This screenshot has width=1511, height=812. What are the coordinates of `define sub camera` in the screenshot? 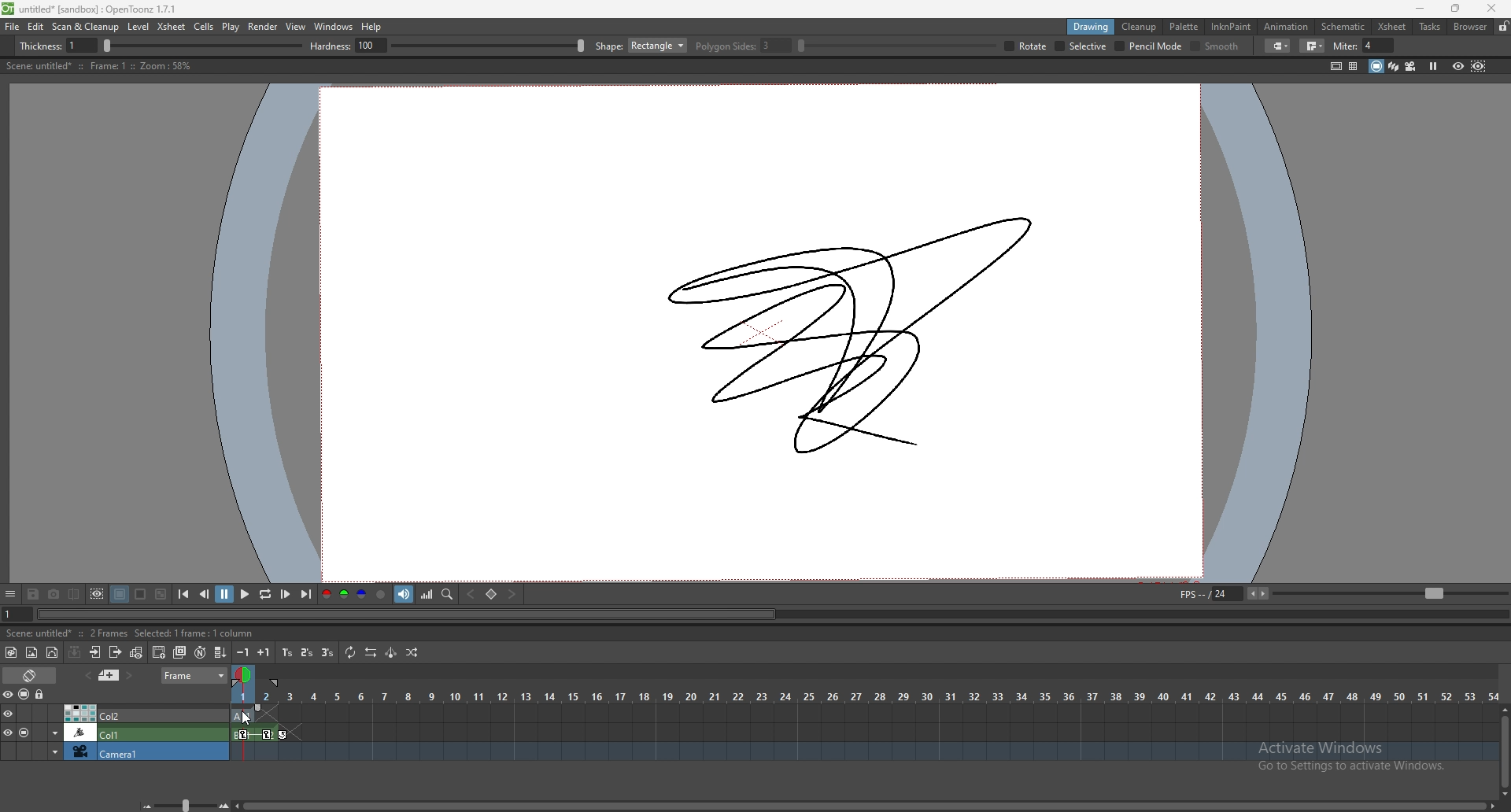 It's located at (97, 594).